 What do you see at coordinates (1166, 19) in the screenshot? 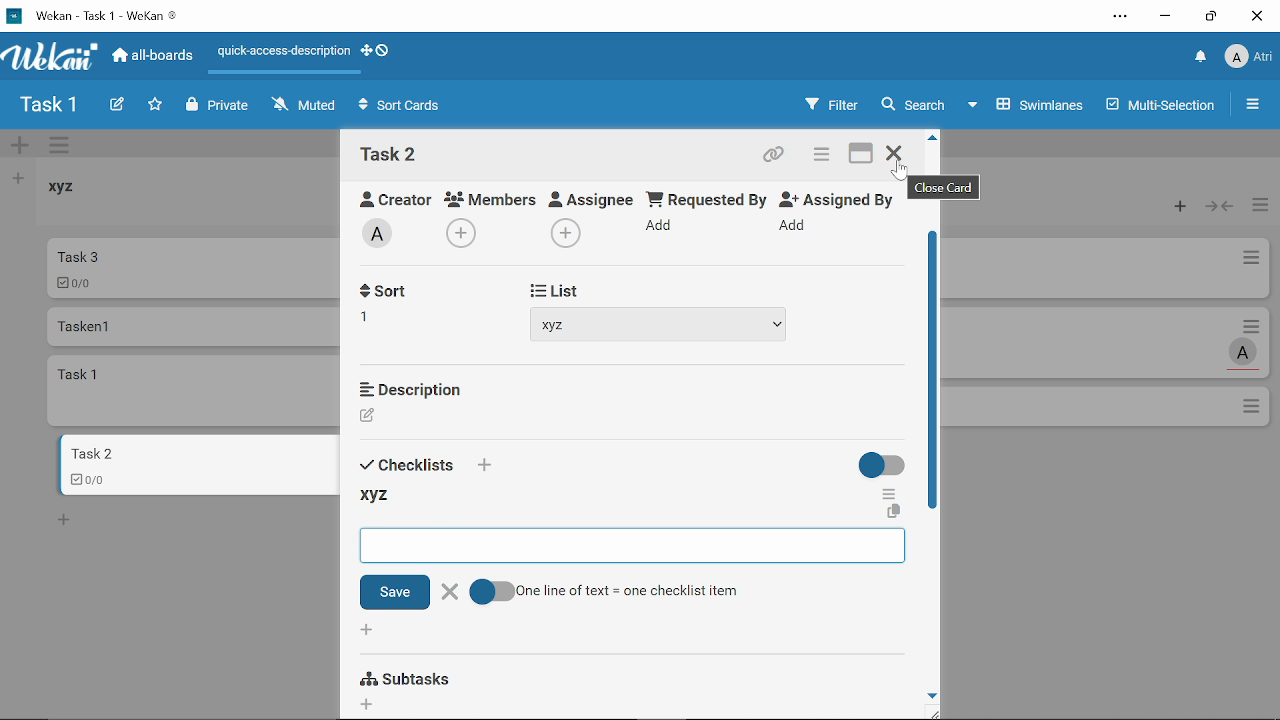
I see `Minimize` at bounding box center [1166, 19].